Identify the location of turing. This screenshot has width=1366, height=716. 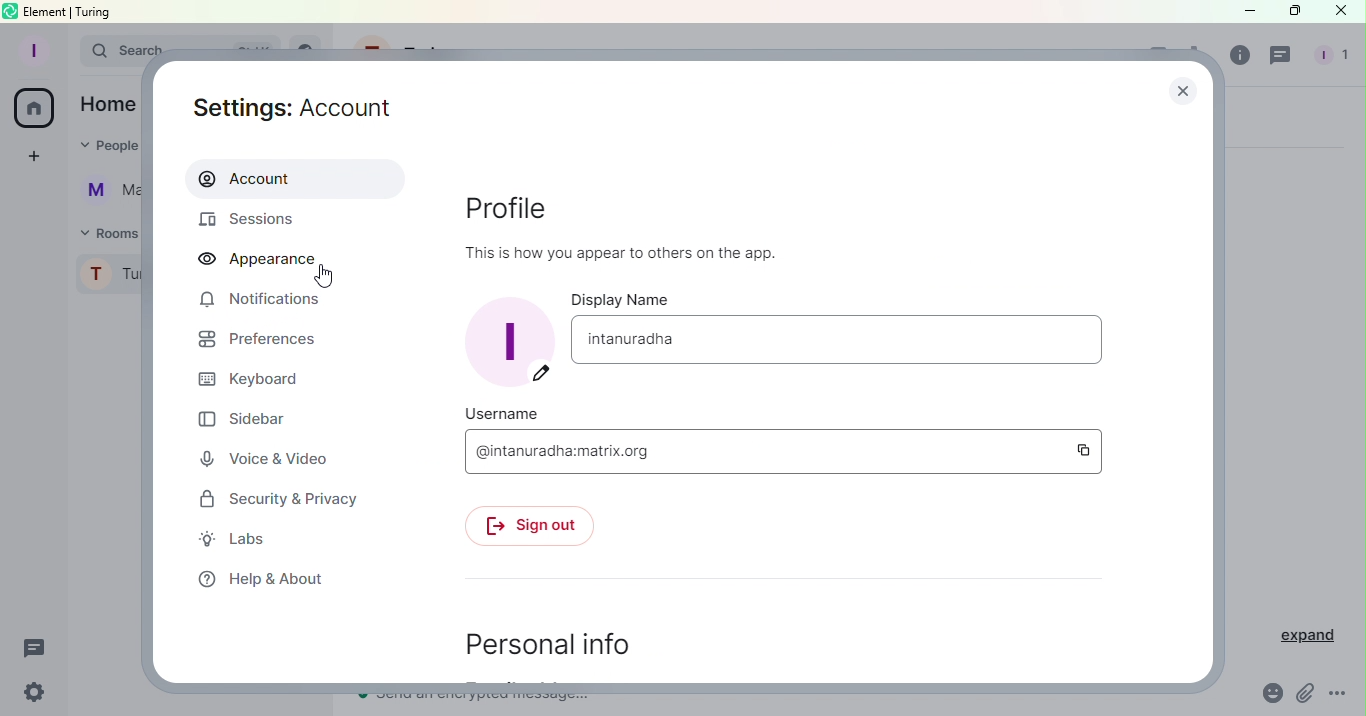
(97, 12).